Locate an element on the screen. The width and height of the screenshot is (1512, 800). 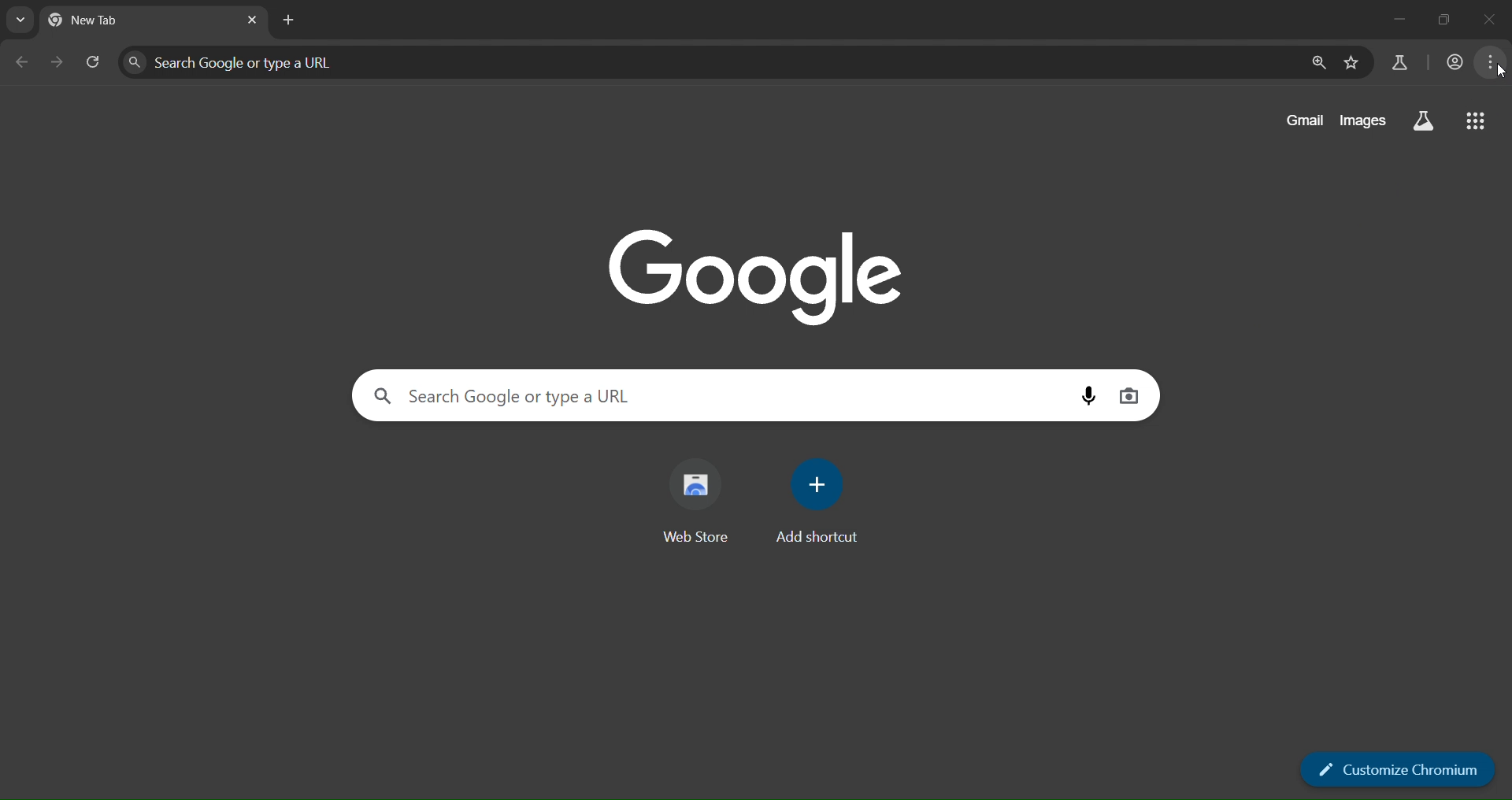
search labs is located at coordinates (1394, 64).